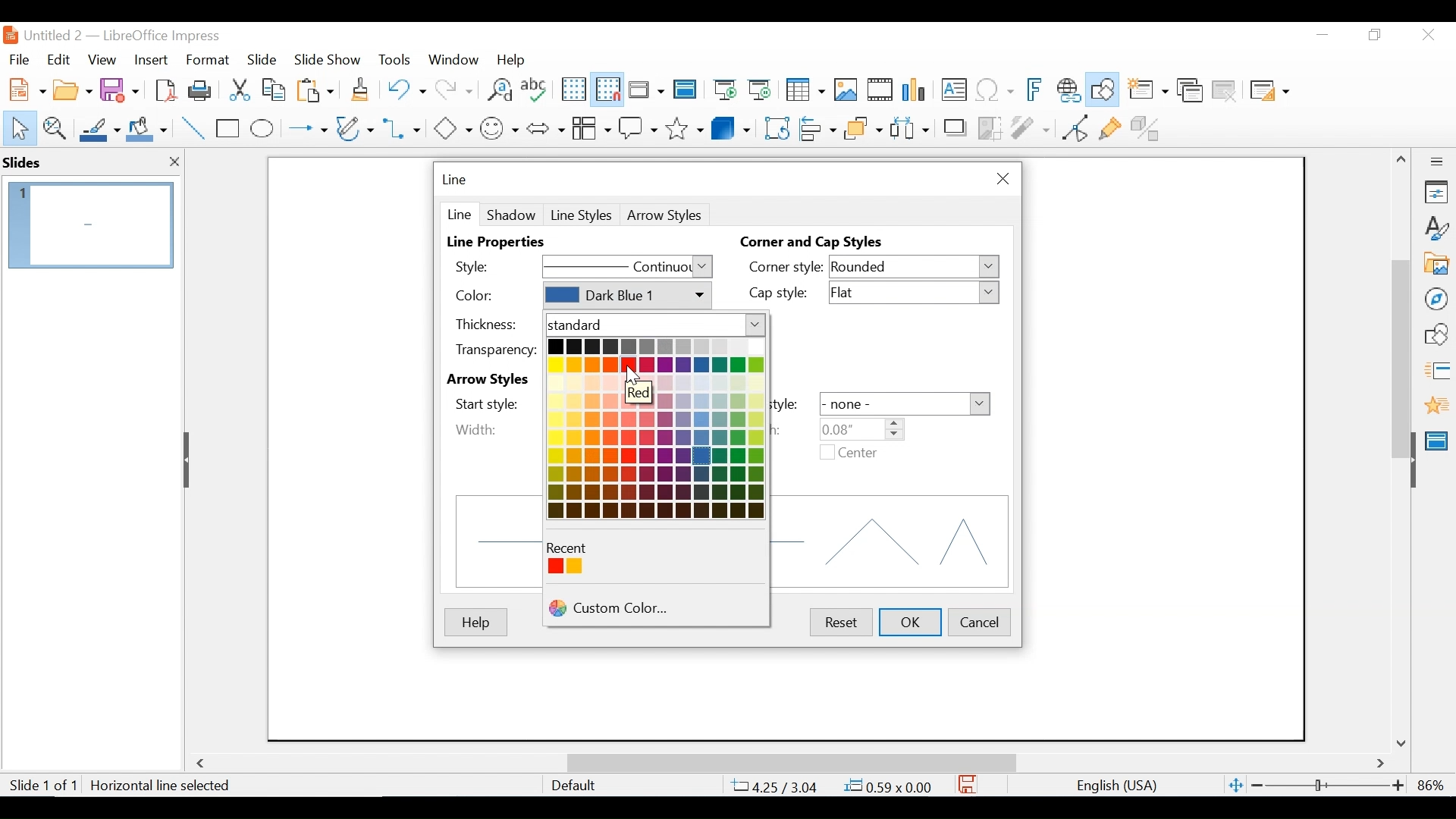  What do you see at coordinates (632, 376) in the screenshot?
I see `Cursor` at bounding box center [632, 376].